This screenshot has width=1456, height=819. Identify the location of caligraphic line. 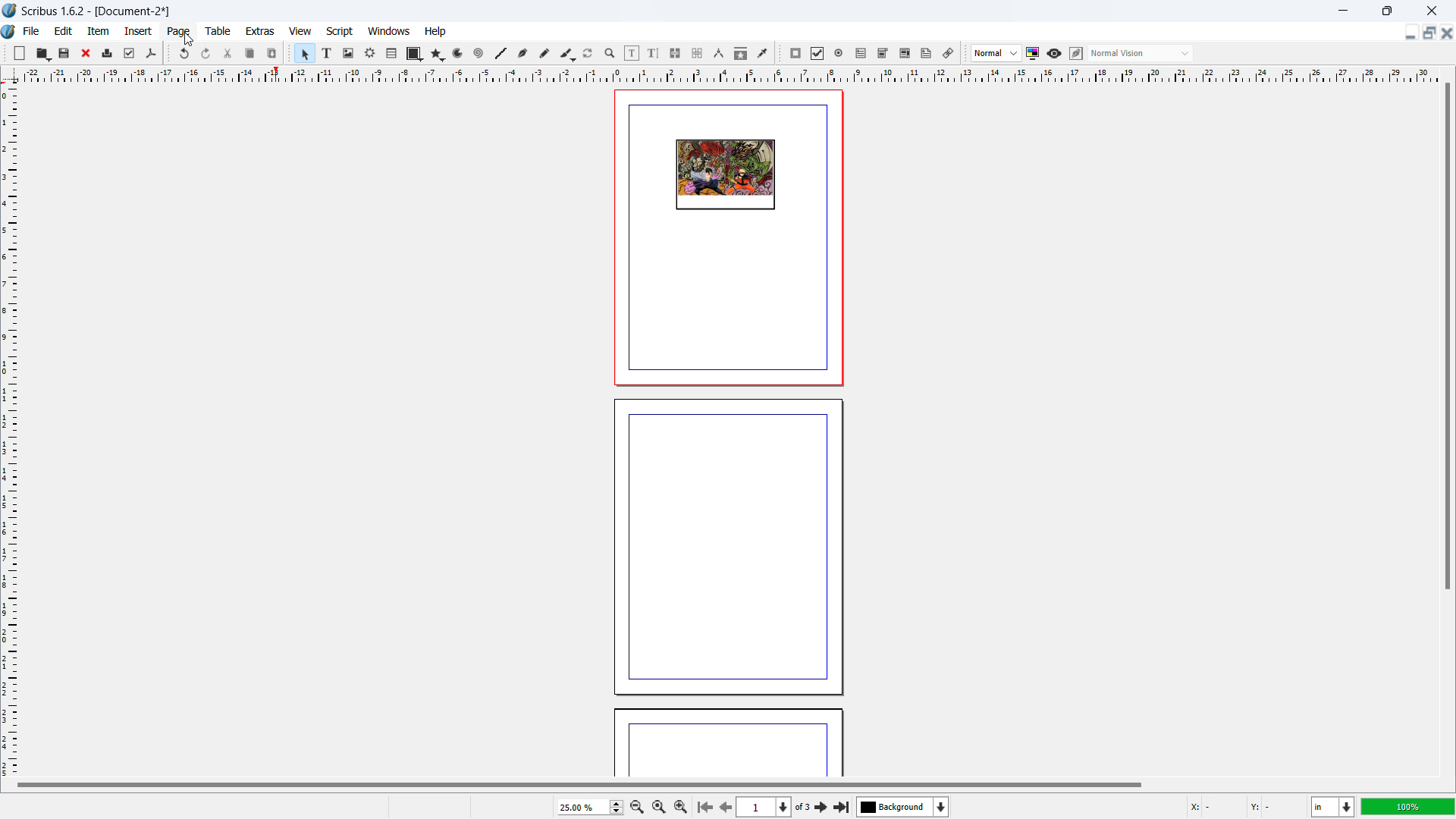
(567, 54).